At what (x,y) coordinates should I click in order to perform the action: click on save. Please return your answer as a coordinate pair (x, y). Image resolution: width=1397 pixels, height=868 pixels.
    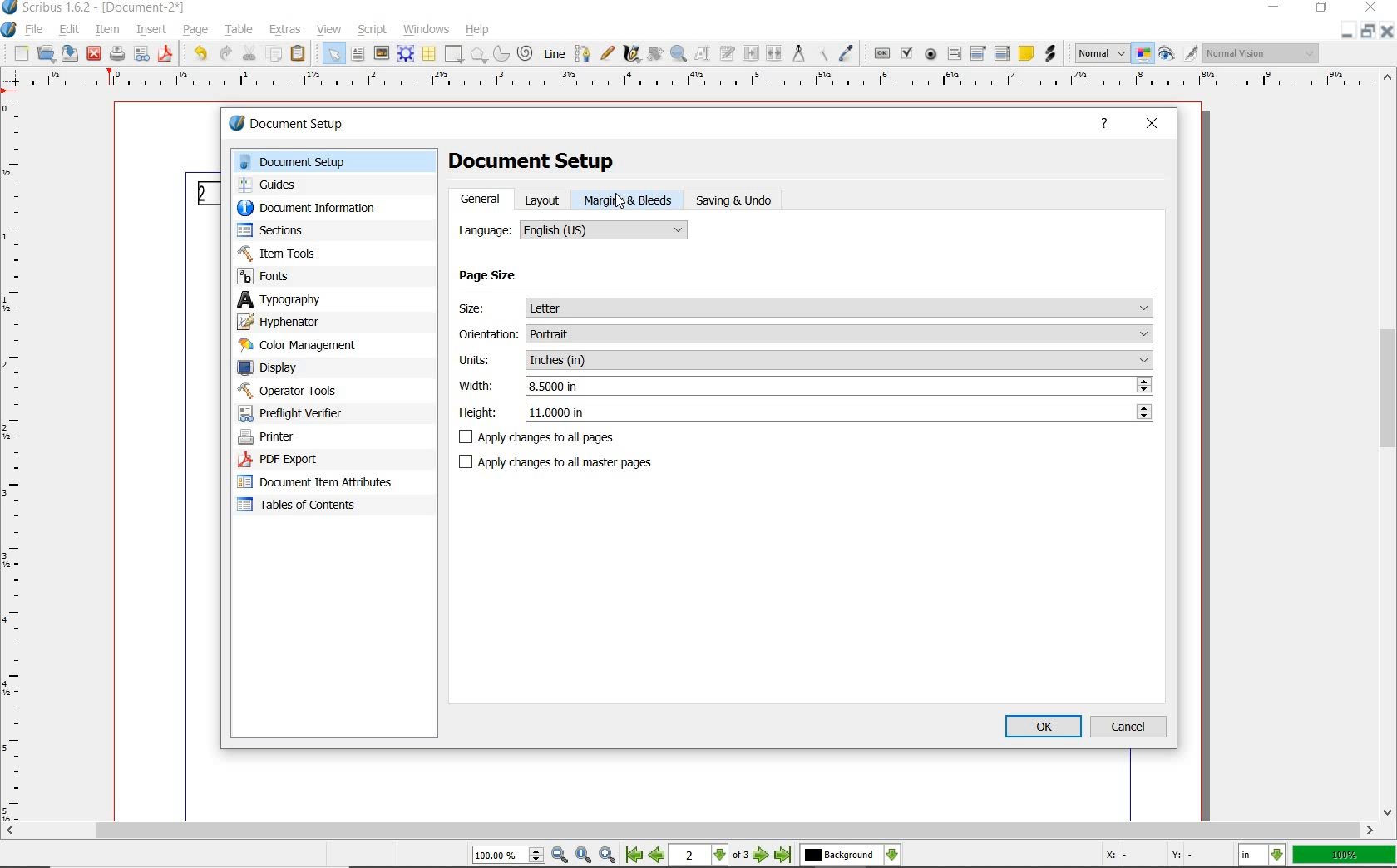
    Looking at the image, I should click on (70, 54).